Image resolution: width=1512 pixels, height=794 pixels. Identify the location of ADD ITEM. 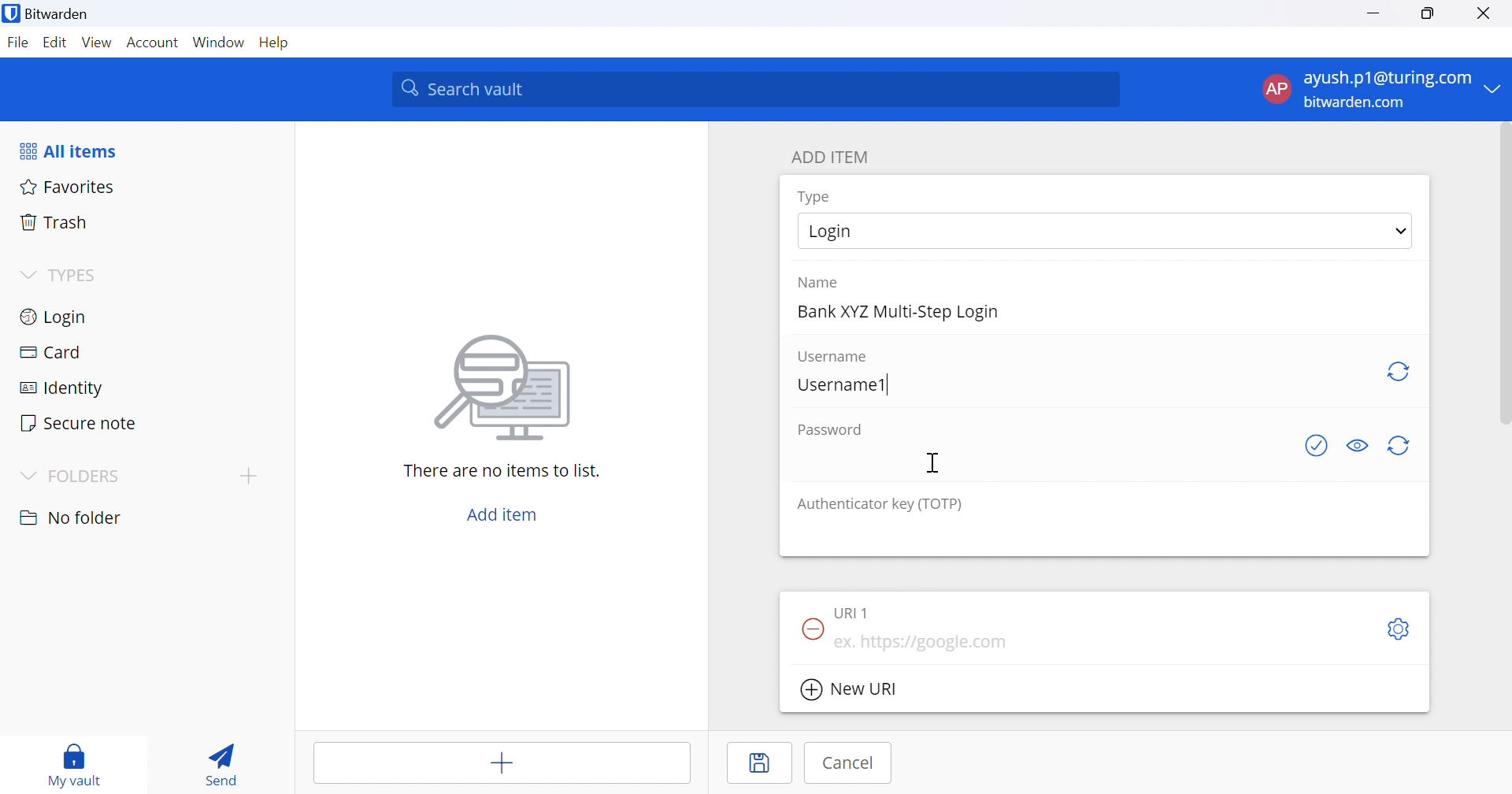
(834, 155).